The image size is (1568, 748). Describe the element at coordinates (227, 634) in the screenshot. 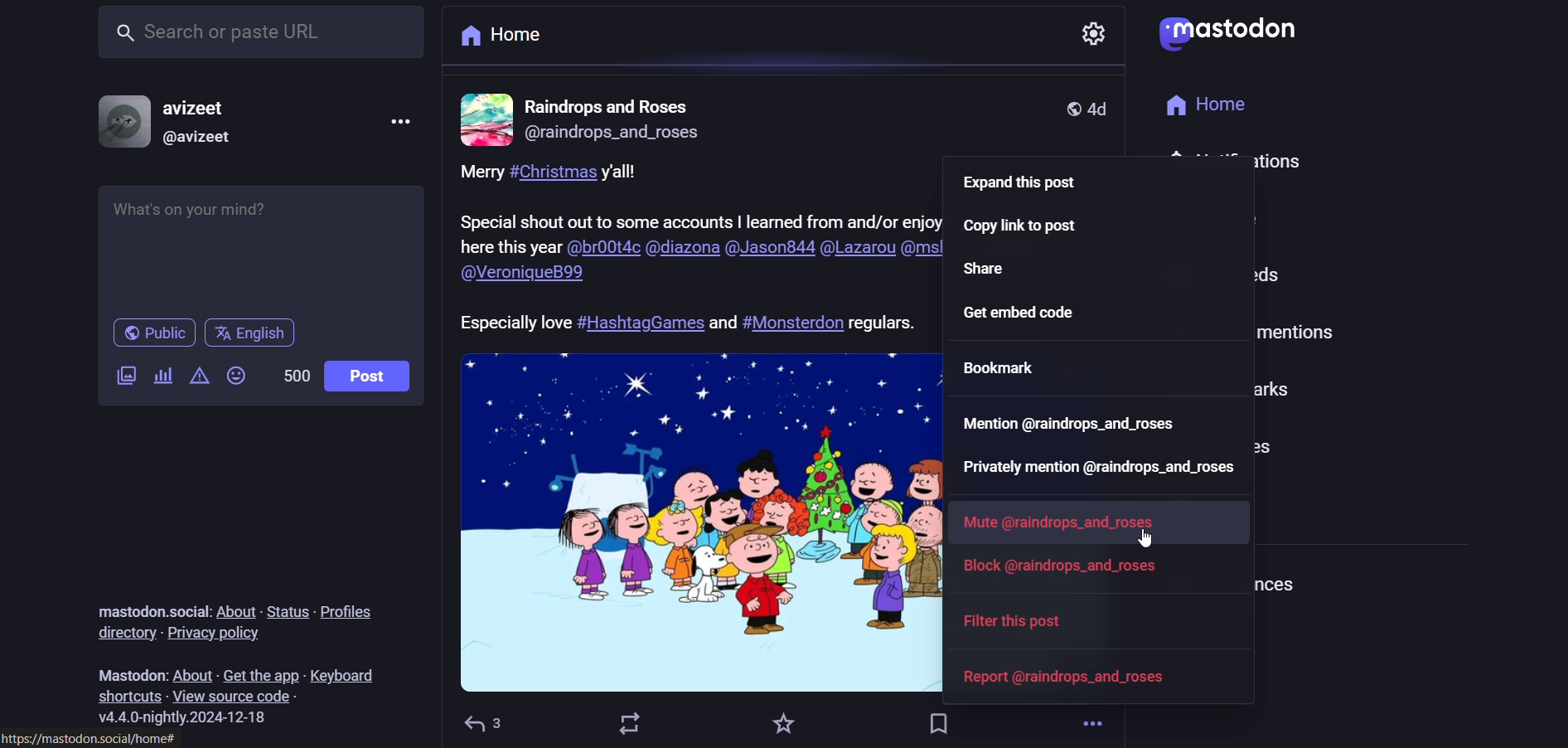

I see `privacy pilicy` at that location.